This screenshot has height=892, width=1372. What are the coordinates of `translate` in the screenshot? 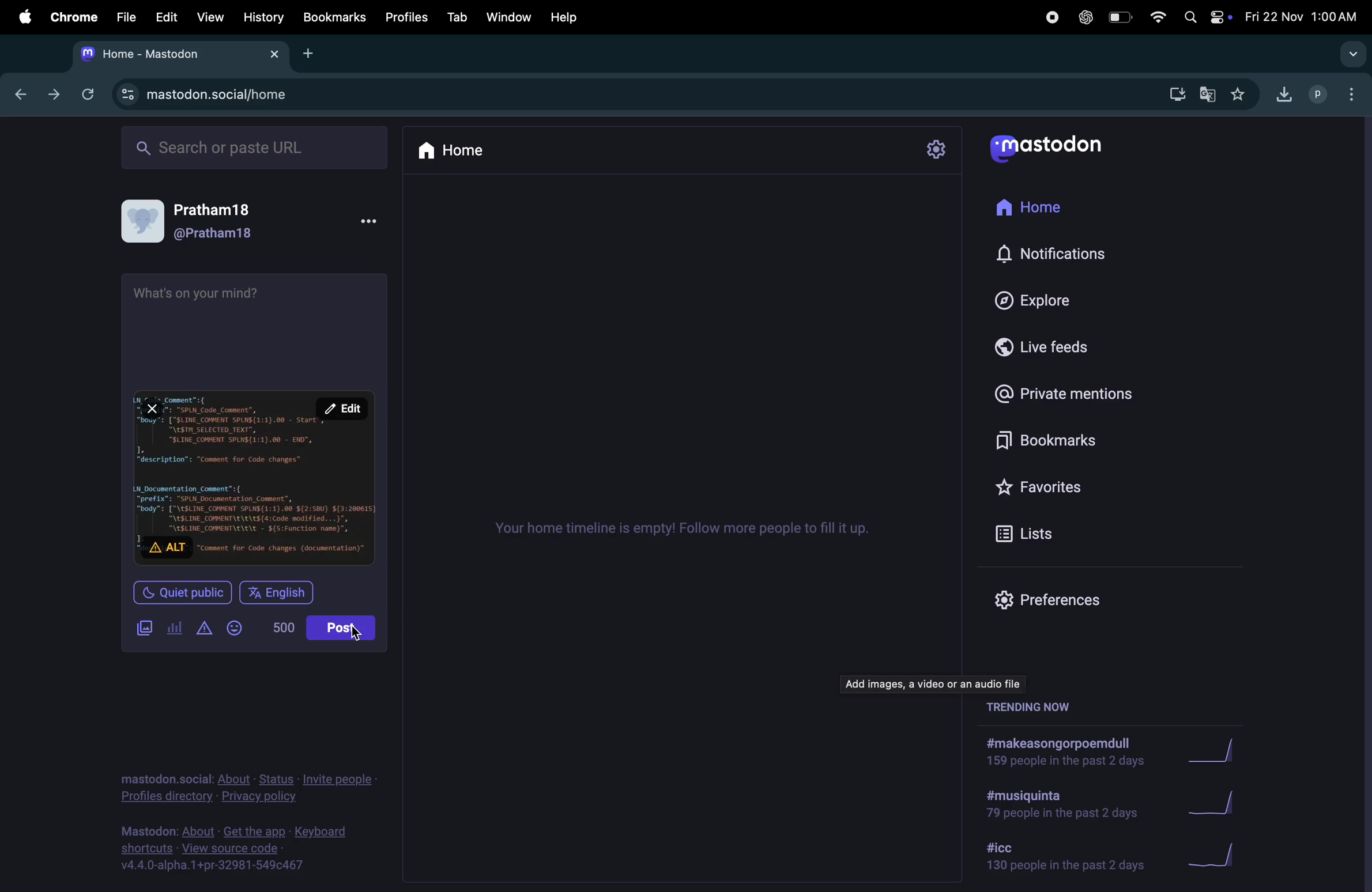 It's located at (1208, 93).